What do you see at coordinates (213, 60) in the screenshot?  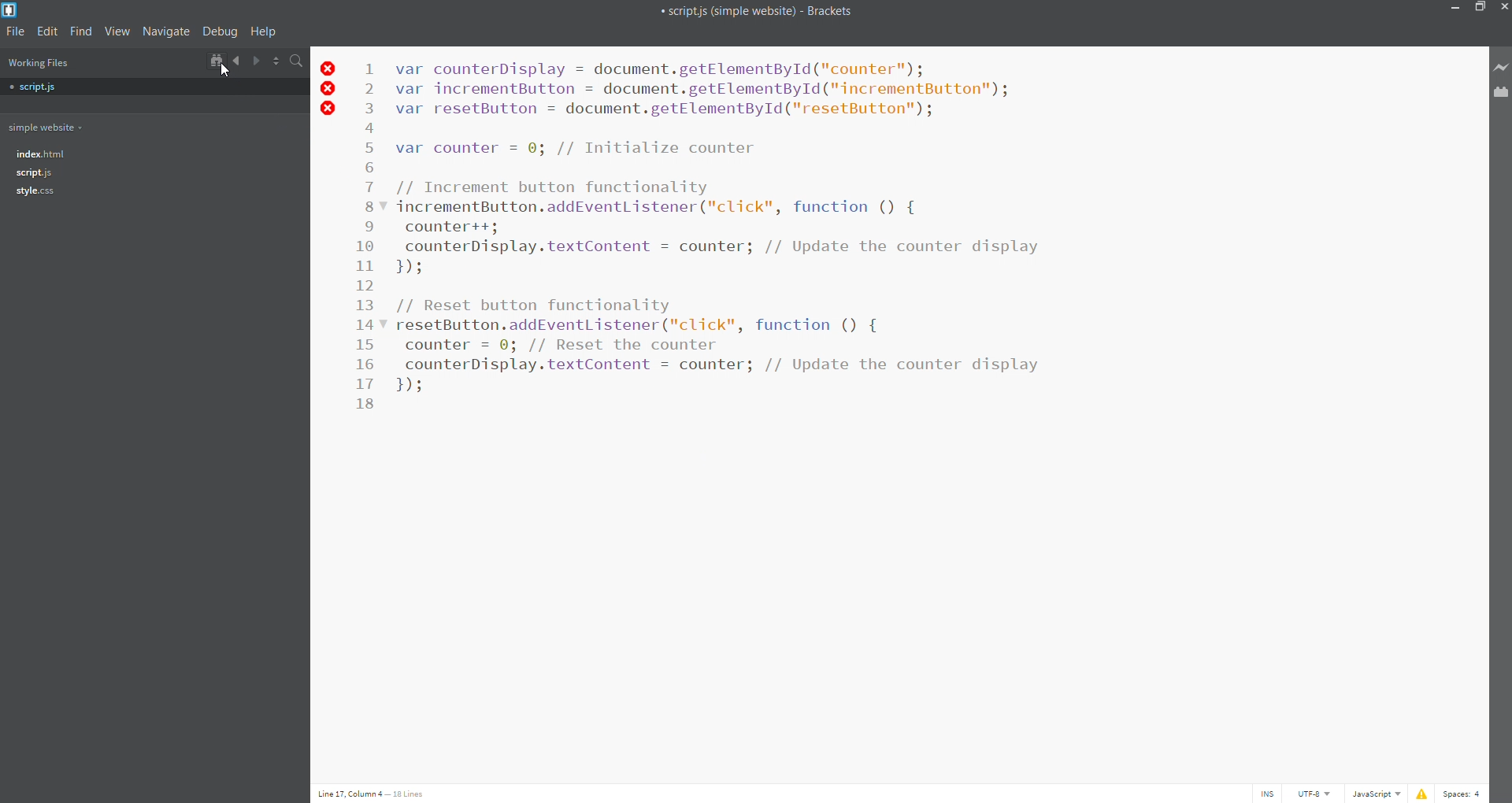 I see `show in file tree` at bounding box center [213, 60].